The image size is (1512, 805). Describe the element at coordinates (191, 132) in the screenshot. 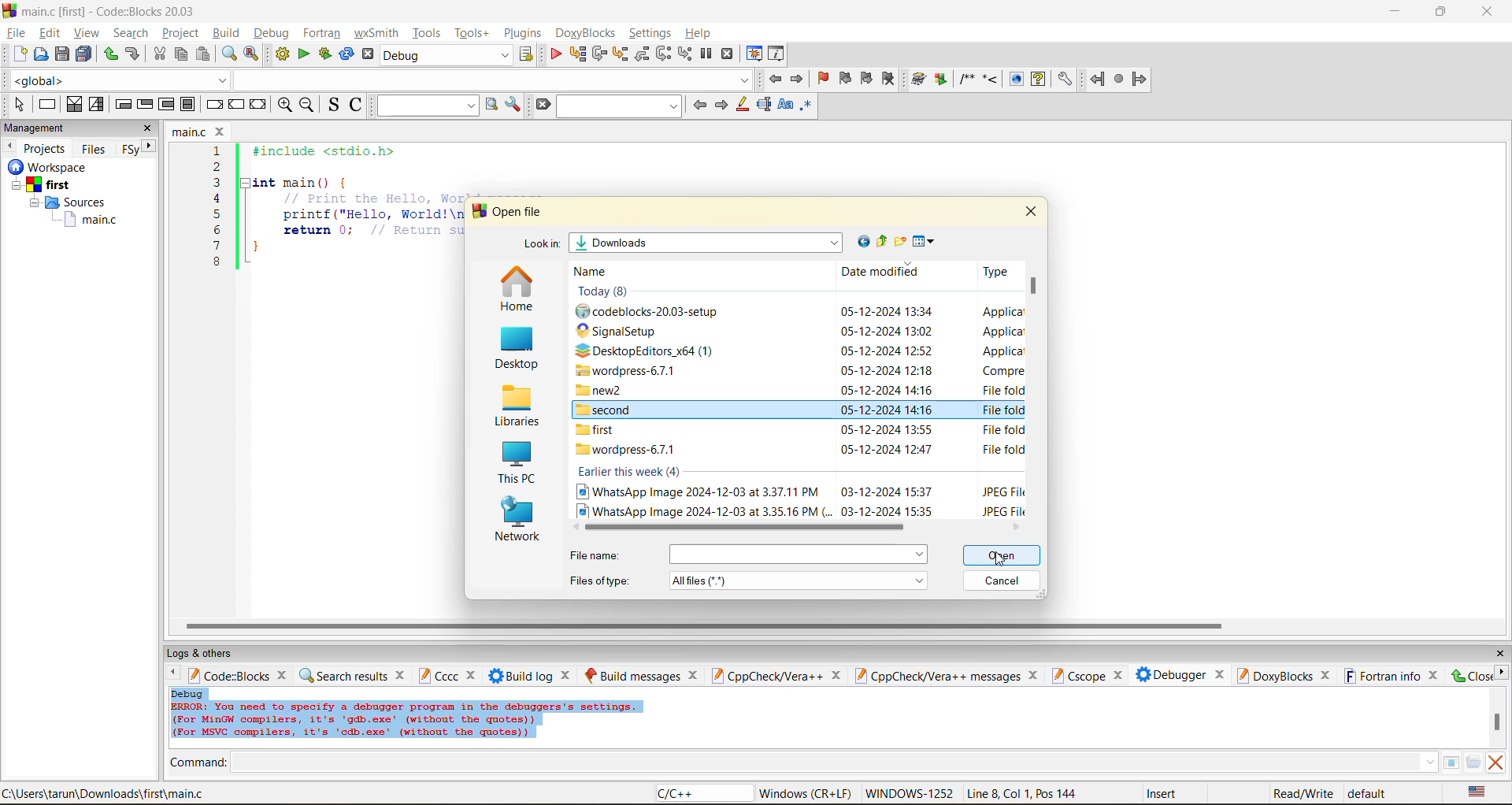

I see `file name` at that location.